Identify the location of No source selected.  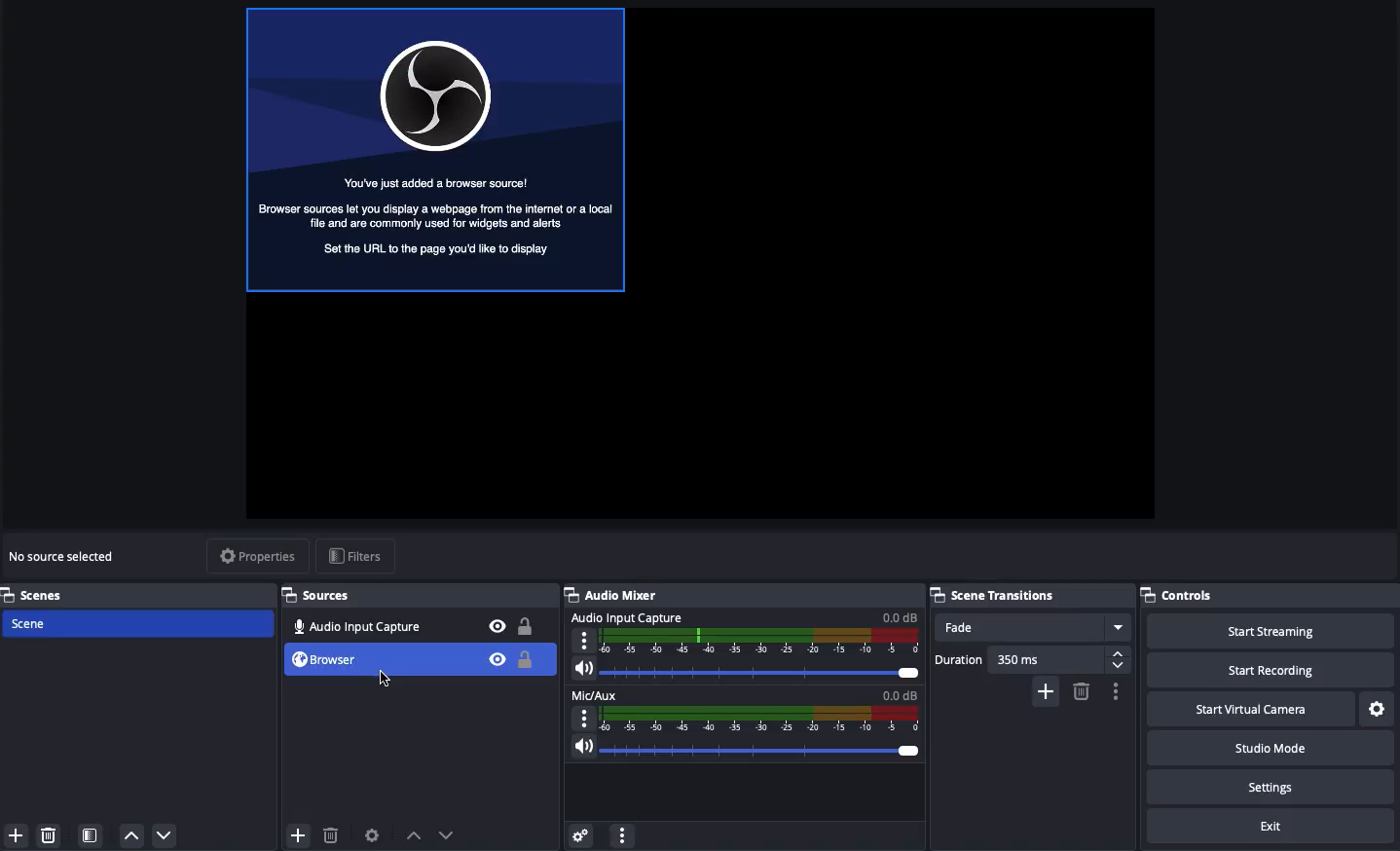
(63, 556).